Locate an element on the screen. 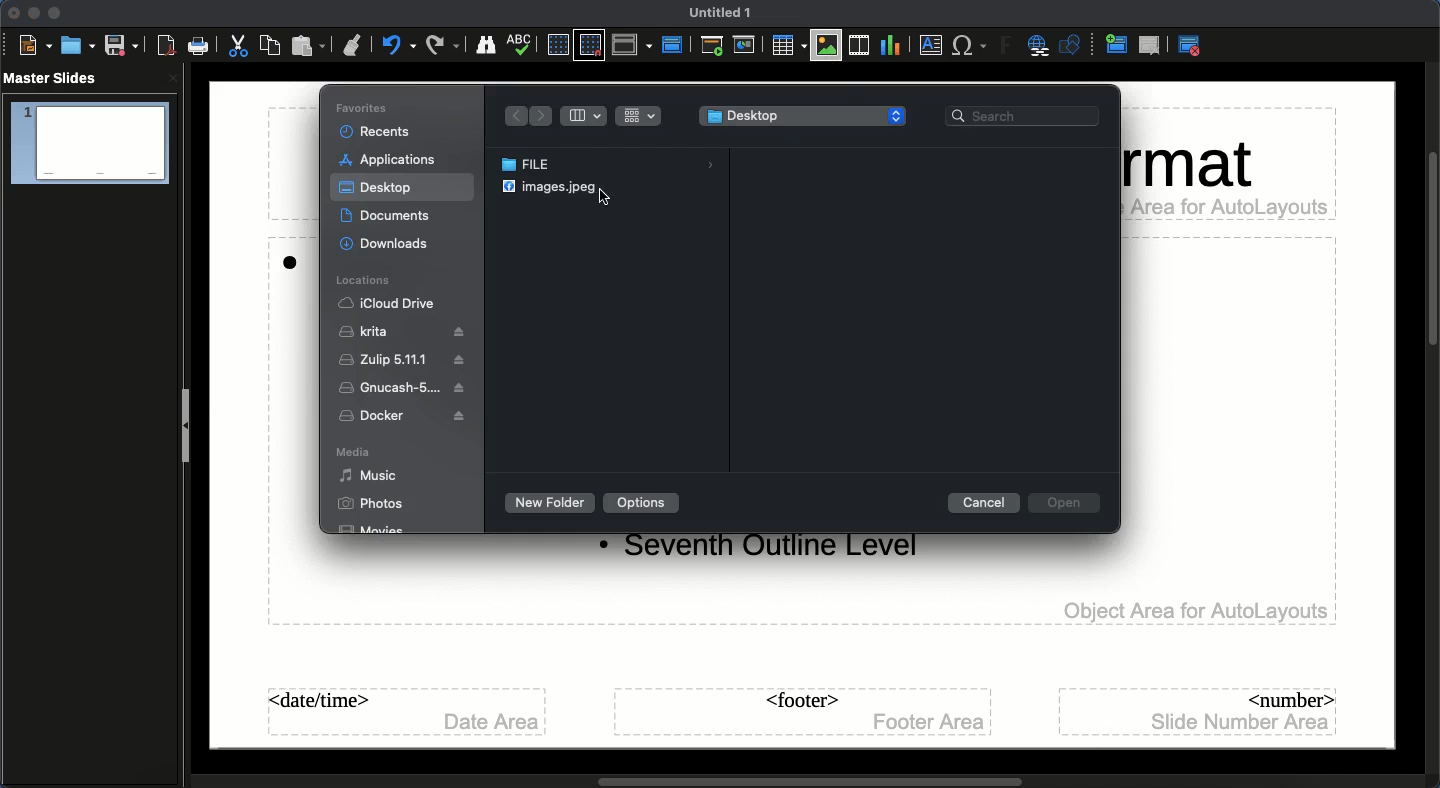 Image resolution: width=1440 pixels, height=788 pixels. Current slide is located at coordinates (746, 48).